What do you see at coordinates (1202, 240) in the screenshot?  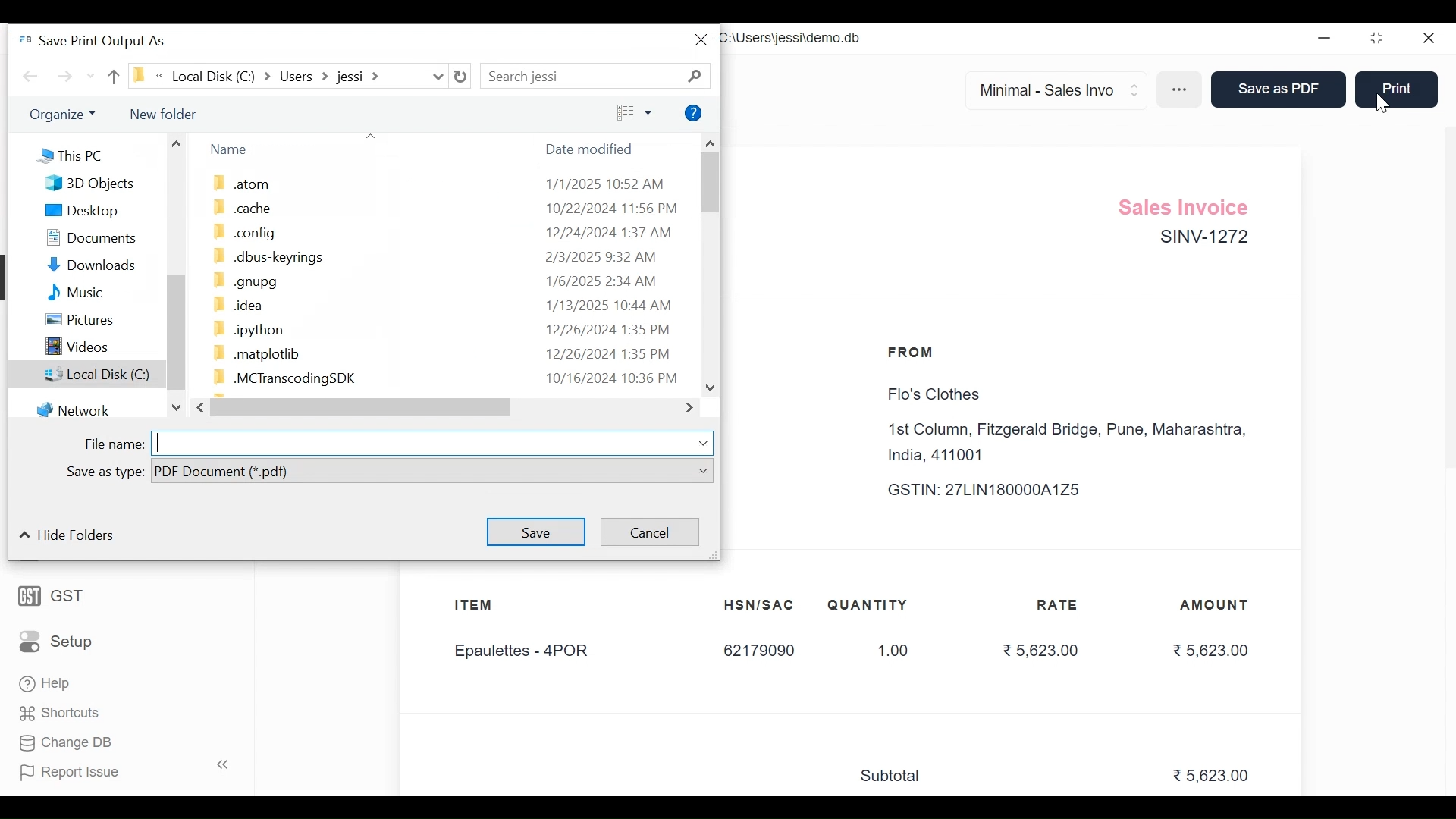 I see `SINV-1272` at bounding box center [1202, 240].